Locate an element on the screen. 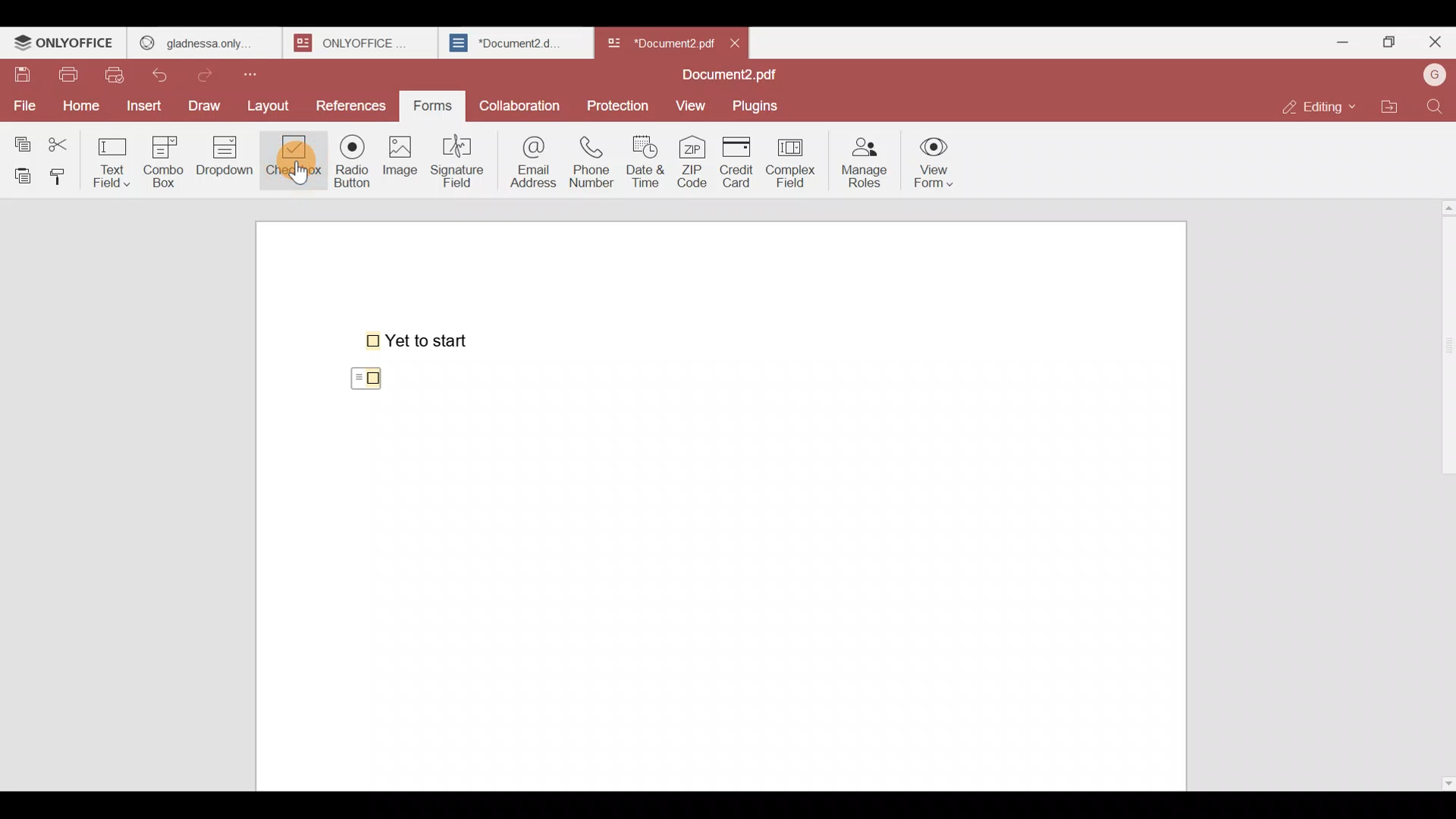 The height and width of the screenshot is (819, 1456). Maximize is located at coordinates (1386, 41).